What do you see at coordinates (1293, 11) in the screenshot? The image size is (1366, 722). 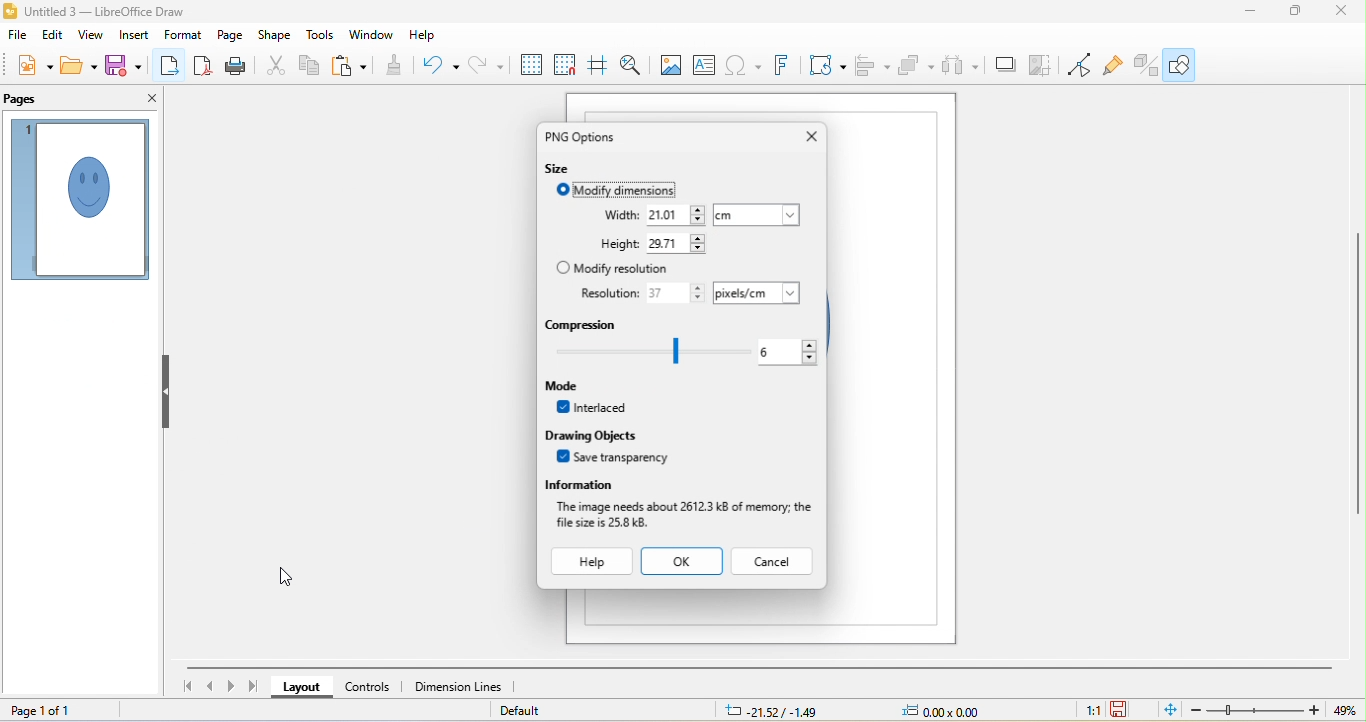 I see `maximize` at bounding box center [1293, 11].